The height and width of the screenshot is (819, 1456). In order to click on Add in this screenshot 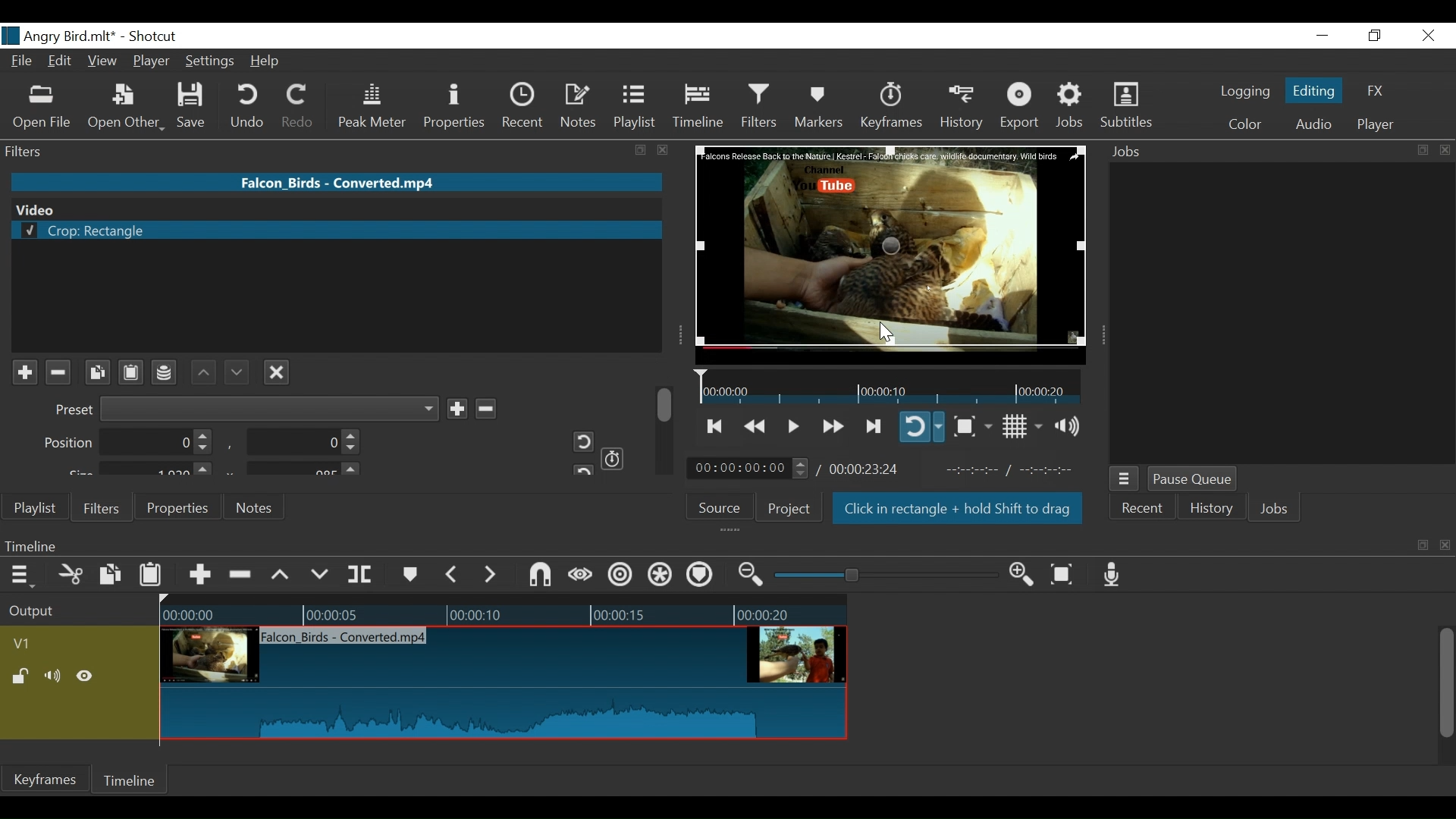, I will do `click(457, 408)`.